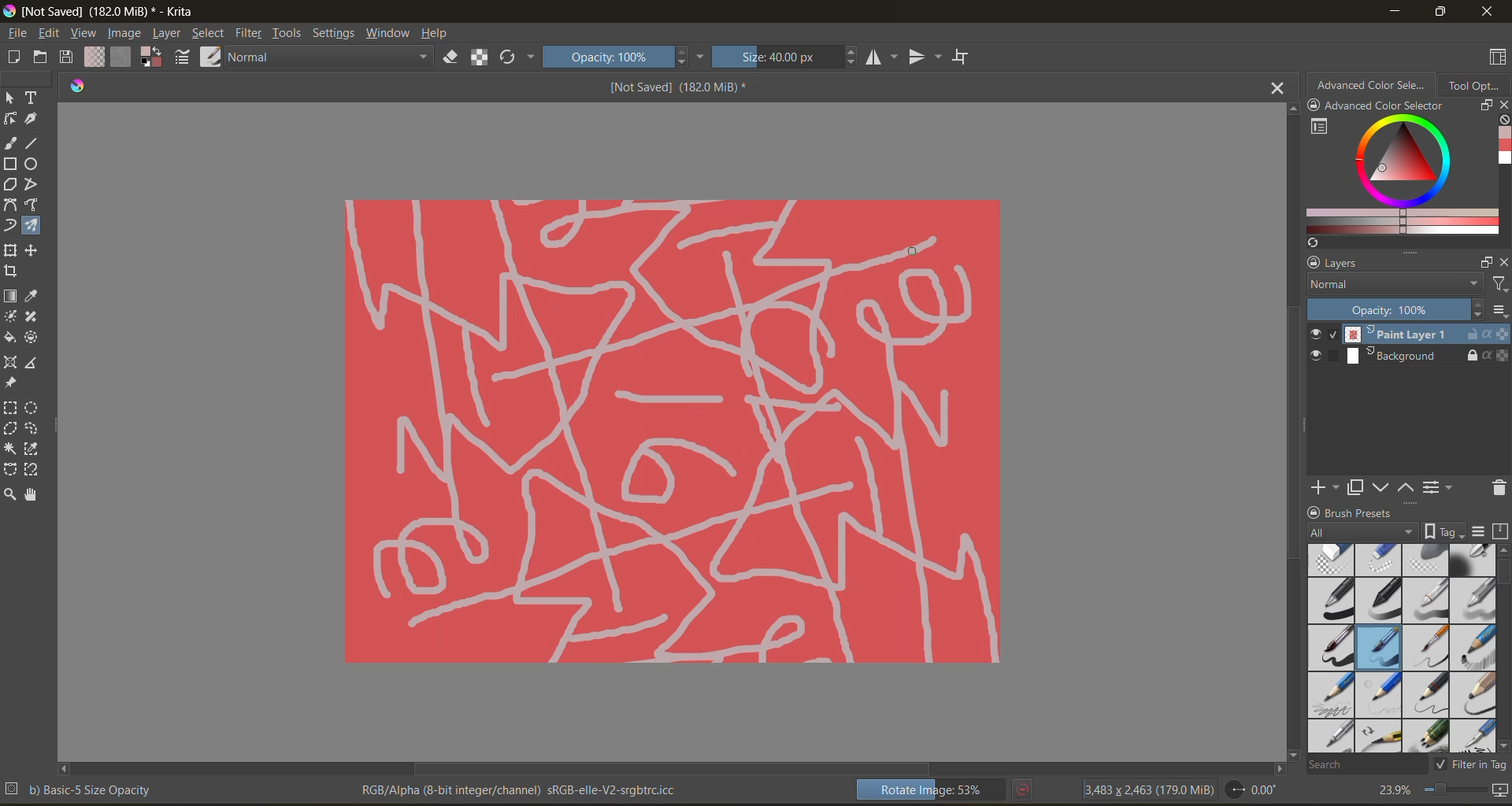 This screenshot has height=806, width=1512. I want to click on duplicate, so click(1352, 488).